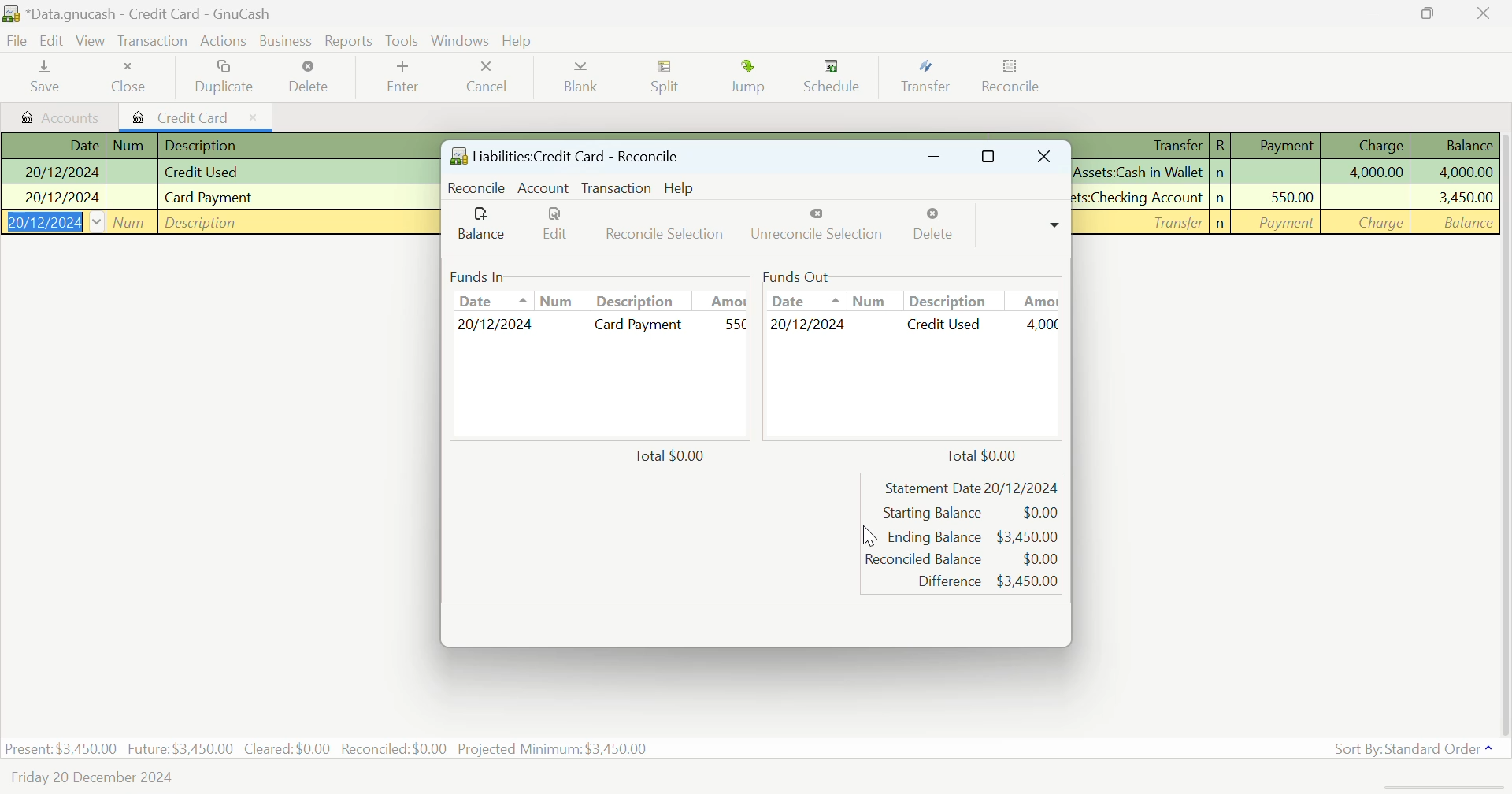 The height and width of the screenshot is (794, 1512). What do you see at coordinates (1055, 224) in the screenshot?
I see `Dropdown` at bounding box center [1055, 224].